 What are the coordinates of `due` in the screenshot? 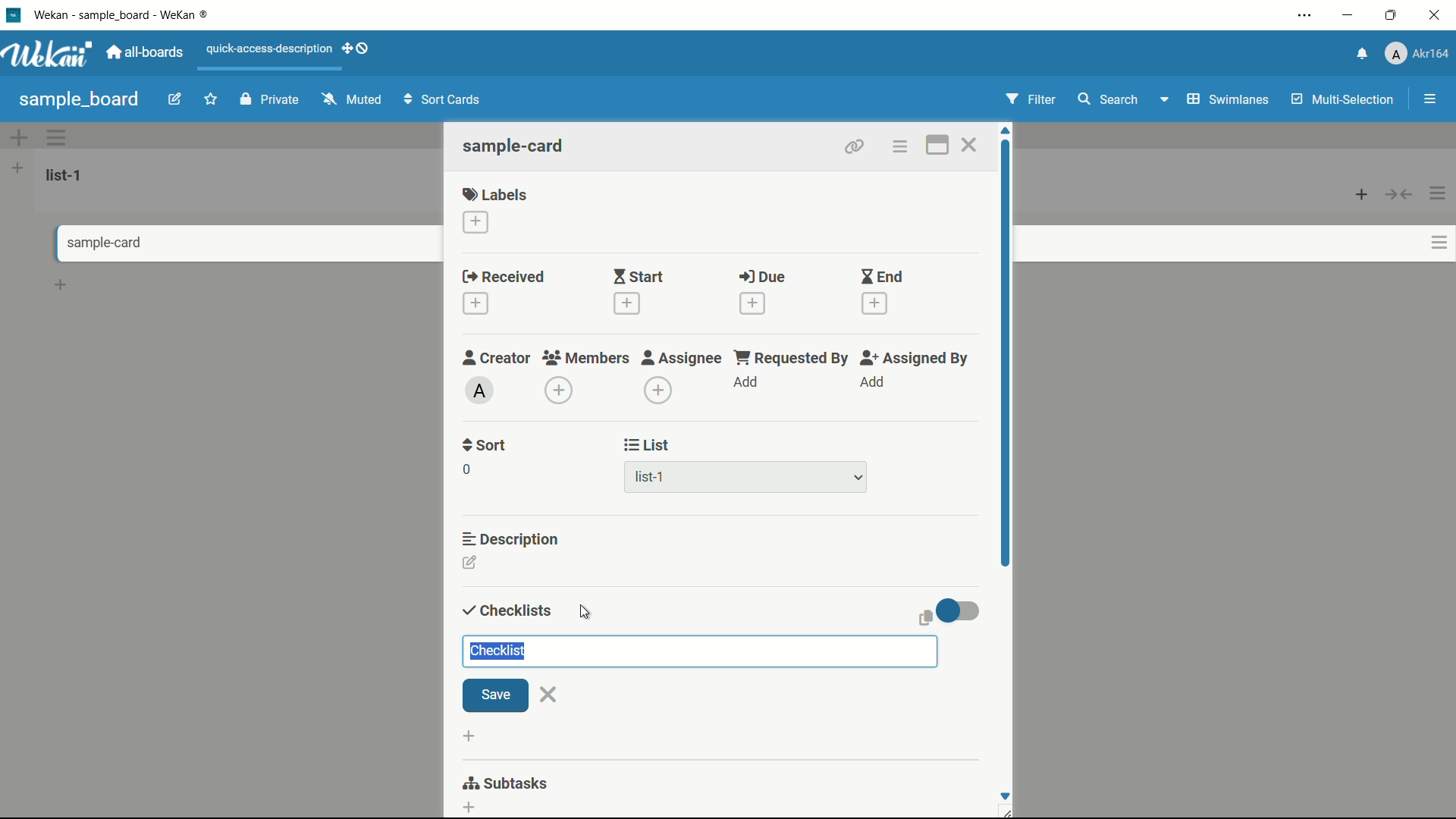 It's located at (762, 278).